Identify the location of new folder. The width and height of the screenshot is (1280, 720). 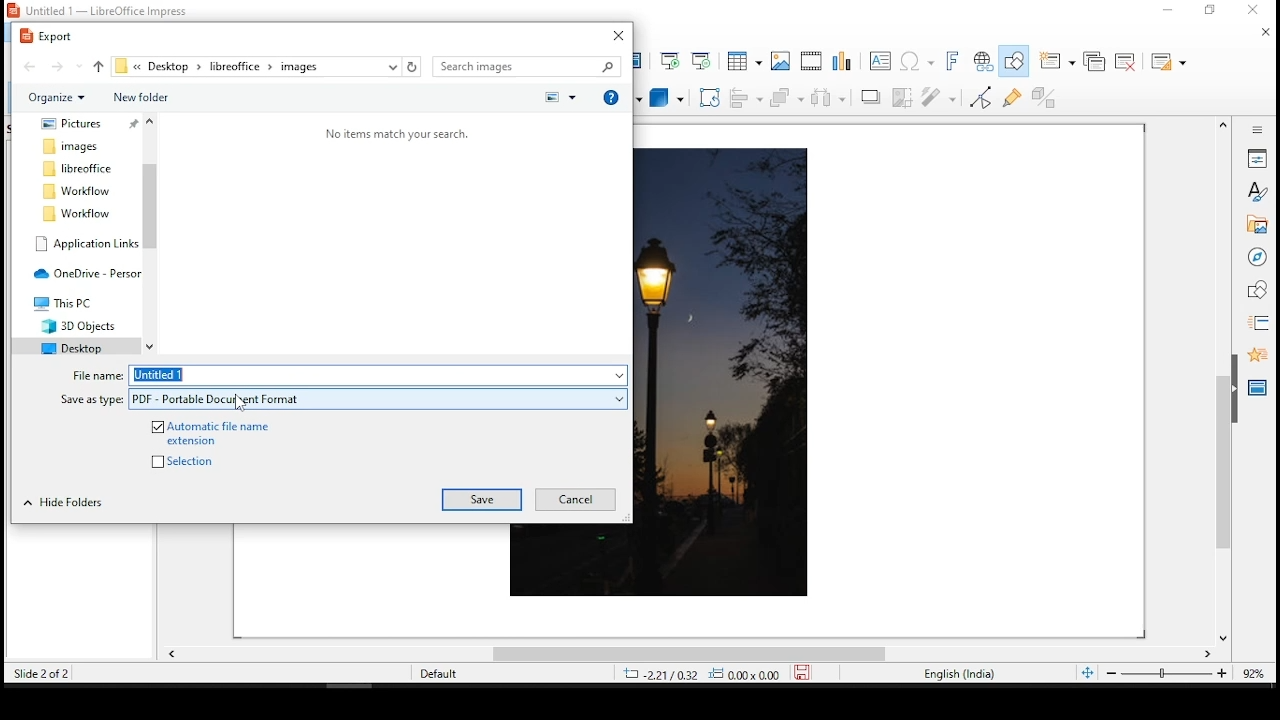
(139, 97).